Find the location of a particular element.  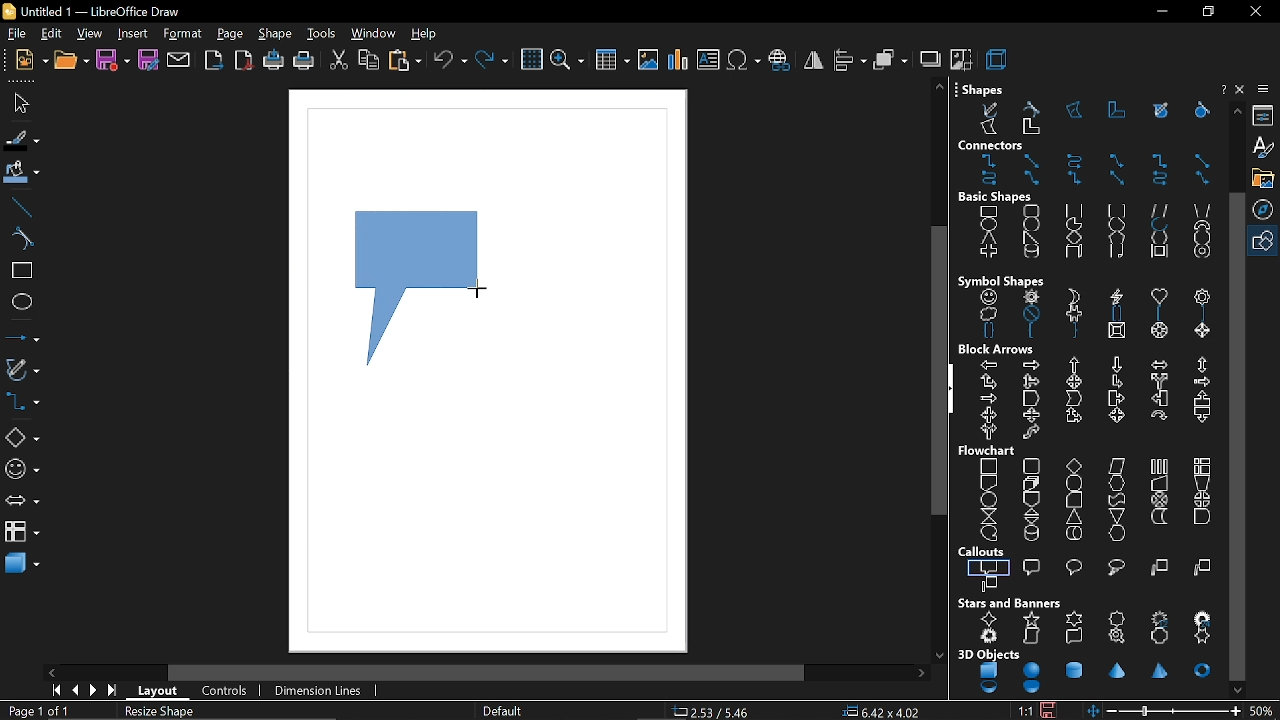

save as is located at coordinates (148, 61).